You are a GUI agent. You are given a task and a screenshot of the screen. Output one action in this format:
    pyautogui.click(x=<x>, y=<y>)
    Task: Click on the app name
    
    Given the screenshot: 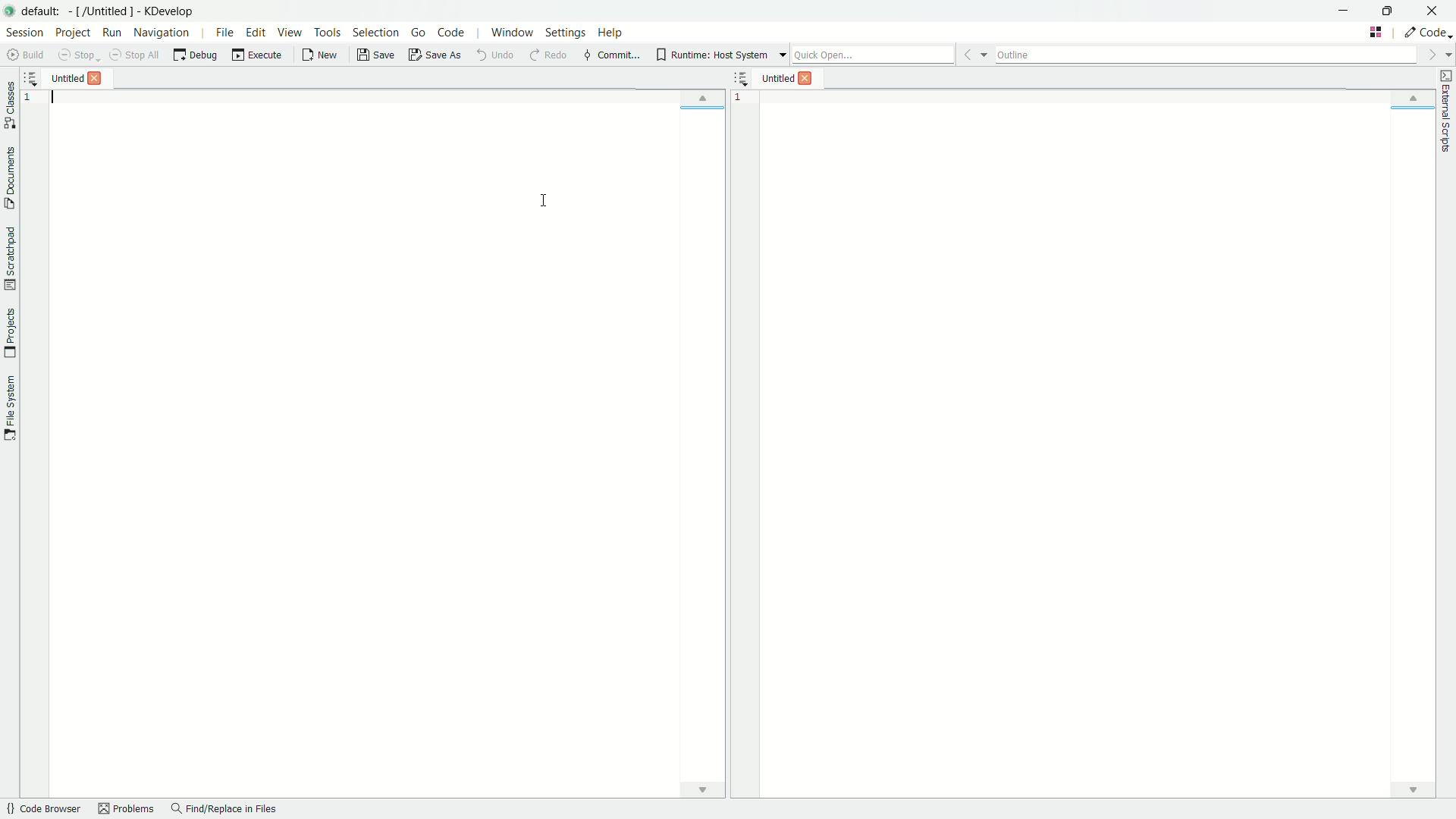 What is the action you would take?
    pyautogui.click(x=171, y=11)
    